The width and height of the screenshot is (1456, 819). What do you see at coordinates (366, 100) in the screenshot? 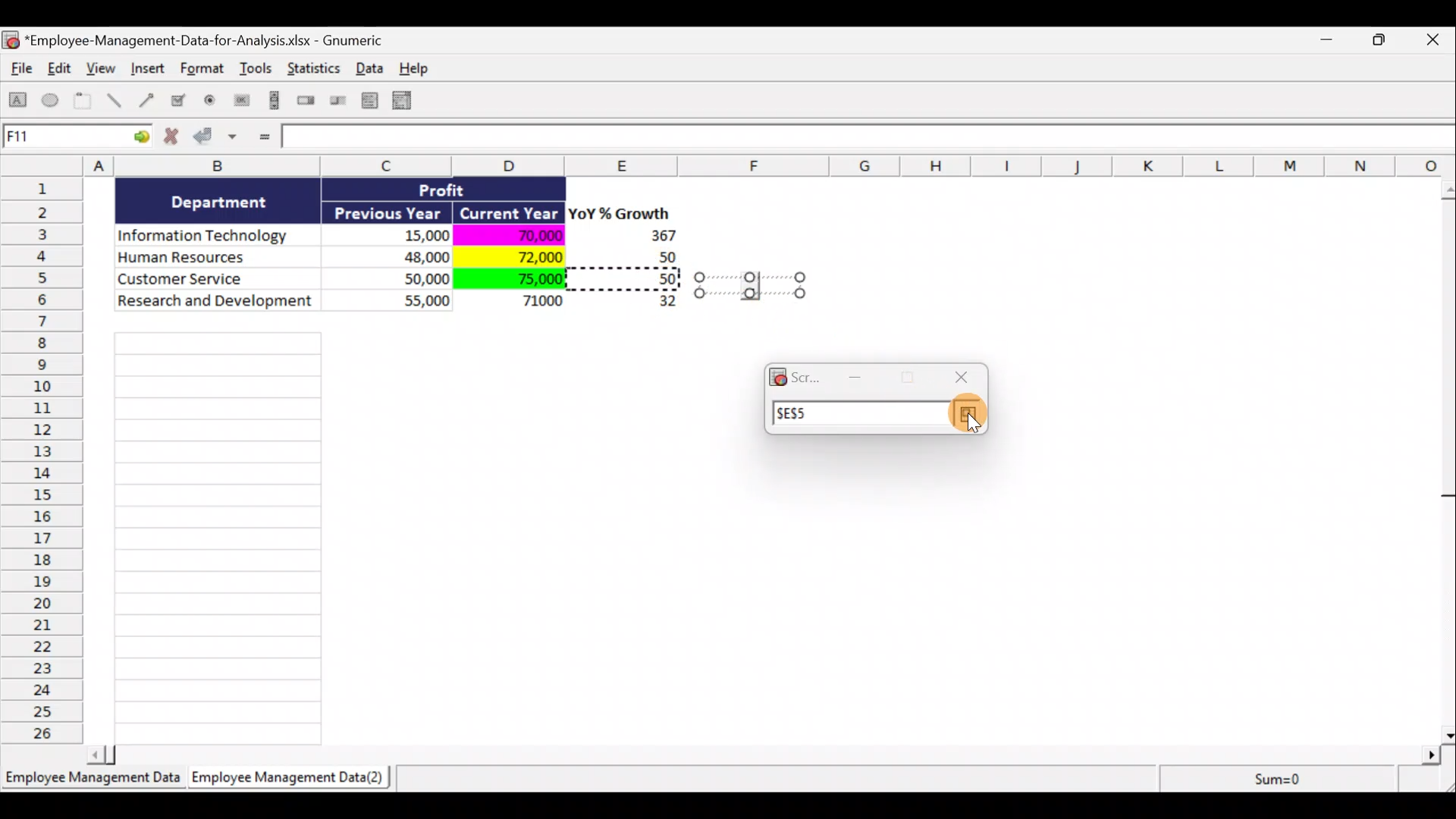
I see `Create a list` at bounding box center [366, 100].